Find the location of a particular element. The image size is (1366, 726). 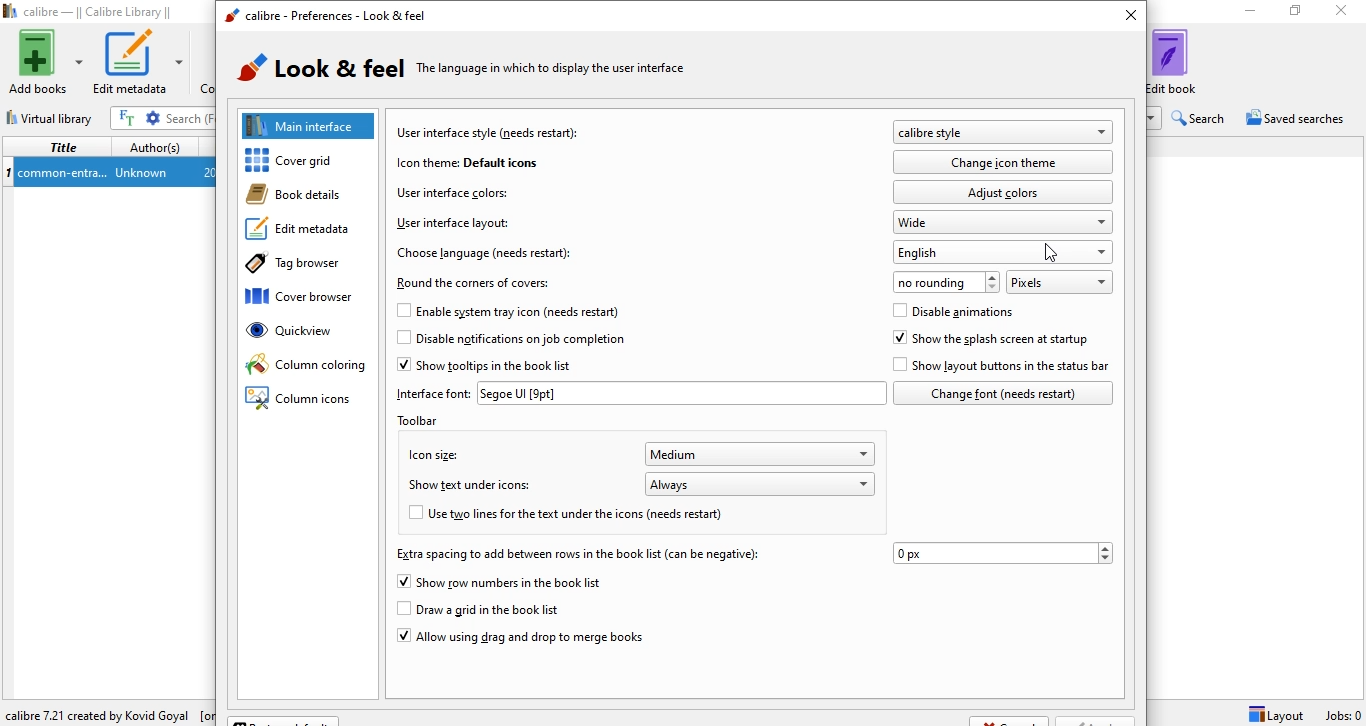

round the corners of covers: is located at coordinates (477, 283).